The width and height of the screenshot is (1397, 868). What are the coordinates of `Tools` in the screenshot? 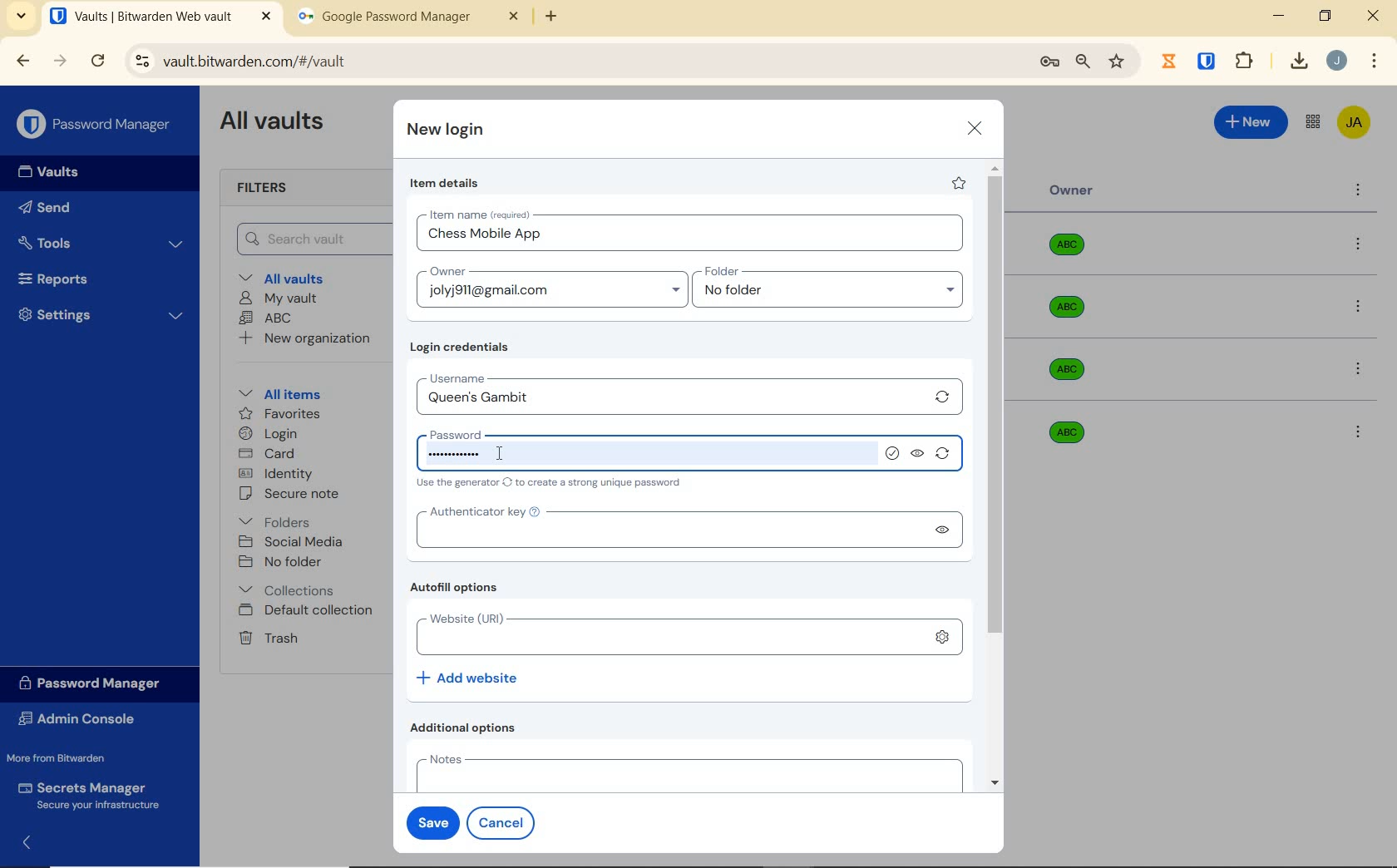 It's located at (101, 244).